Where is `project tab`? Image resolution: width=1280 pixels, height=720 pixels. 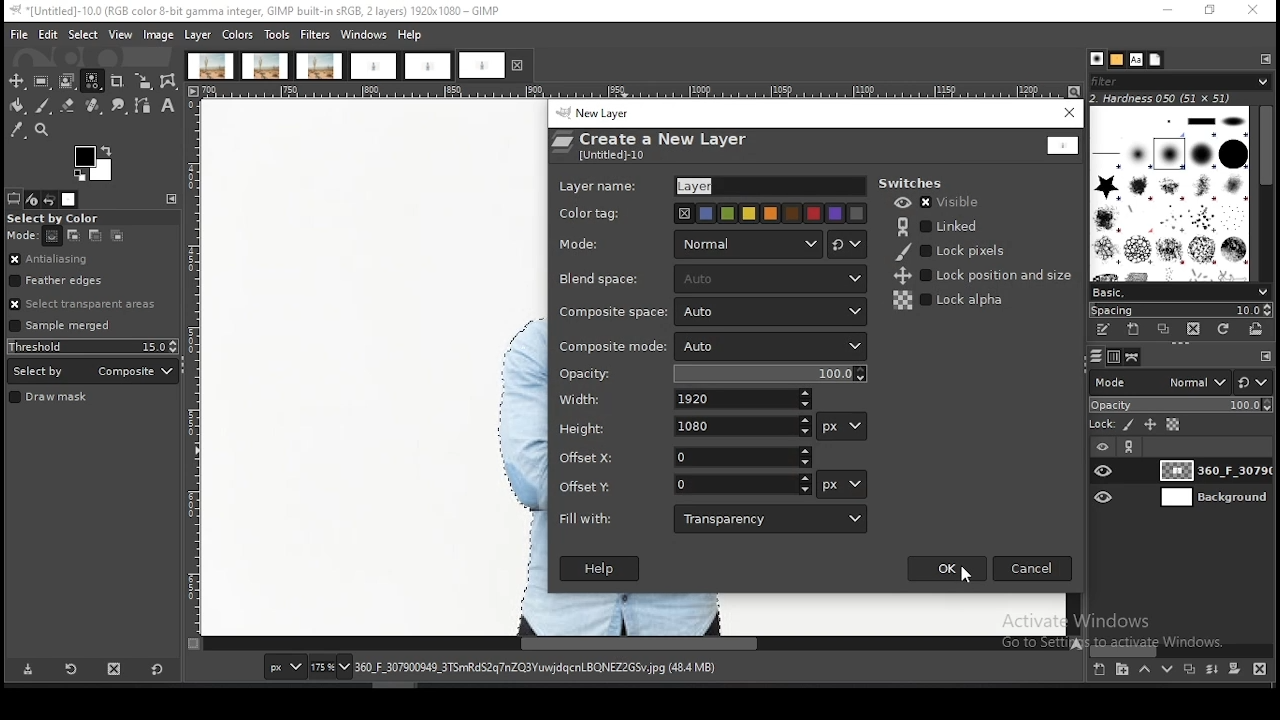
project tab is located at coordinates (210, 66).